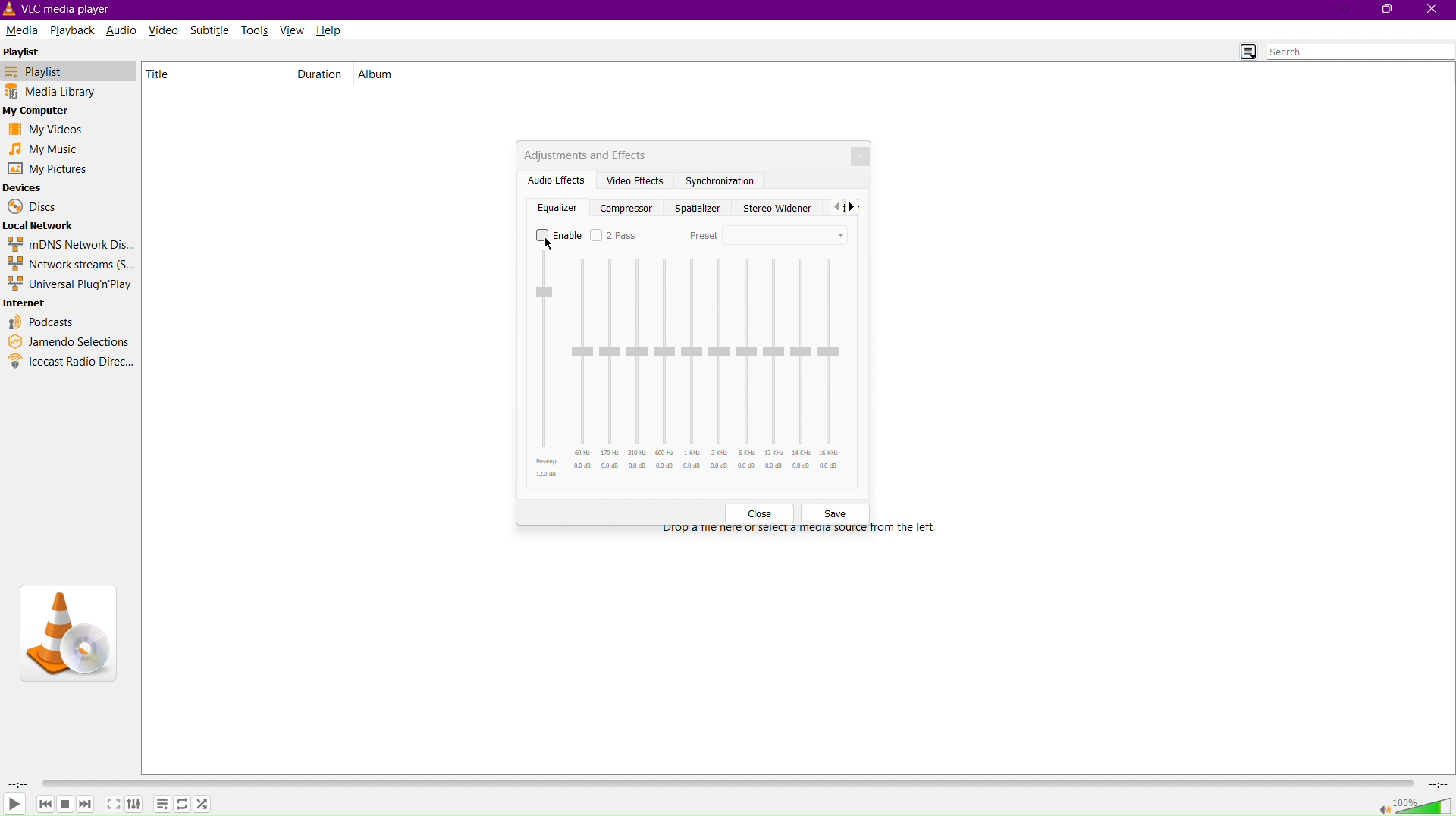  I want to click on Devices, so click(24, 187).